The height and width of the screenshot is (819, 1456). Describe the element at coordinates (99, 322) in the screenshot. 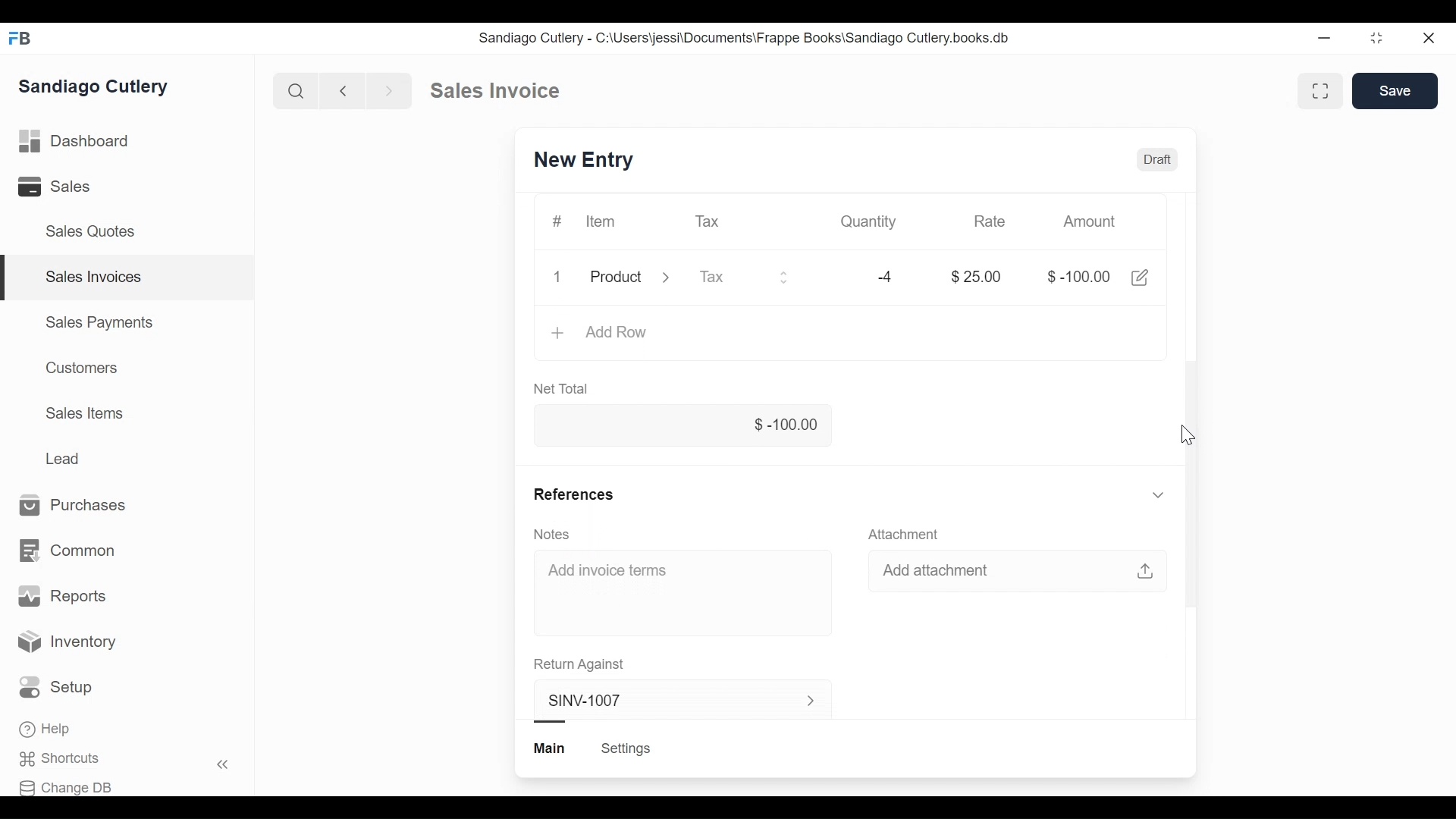

I see `Sales Payments` at that location.